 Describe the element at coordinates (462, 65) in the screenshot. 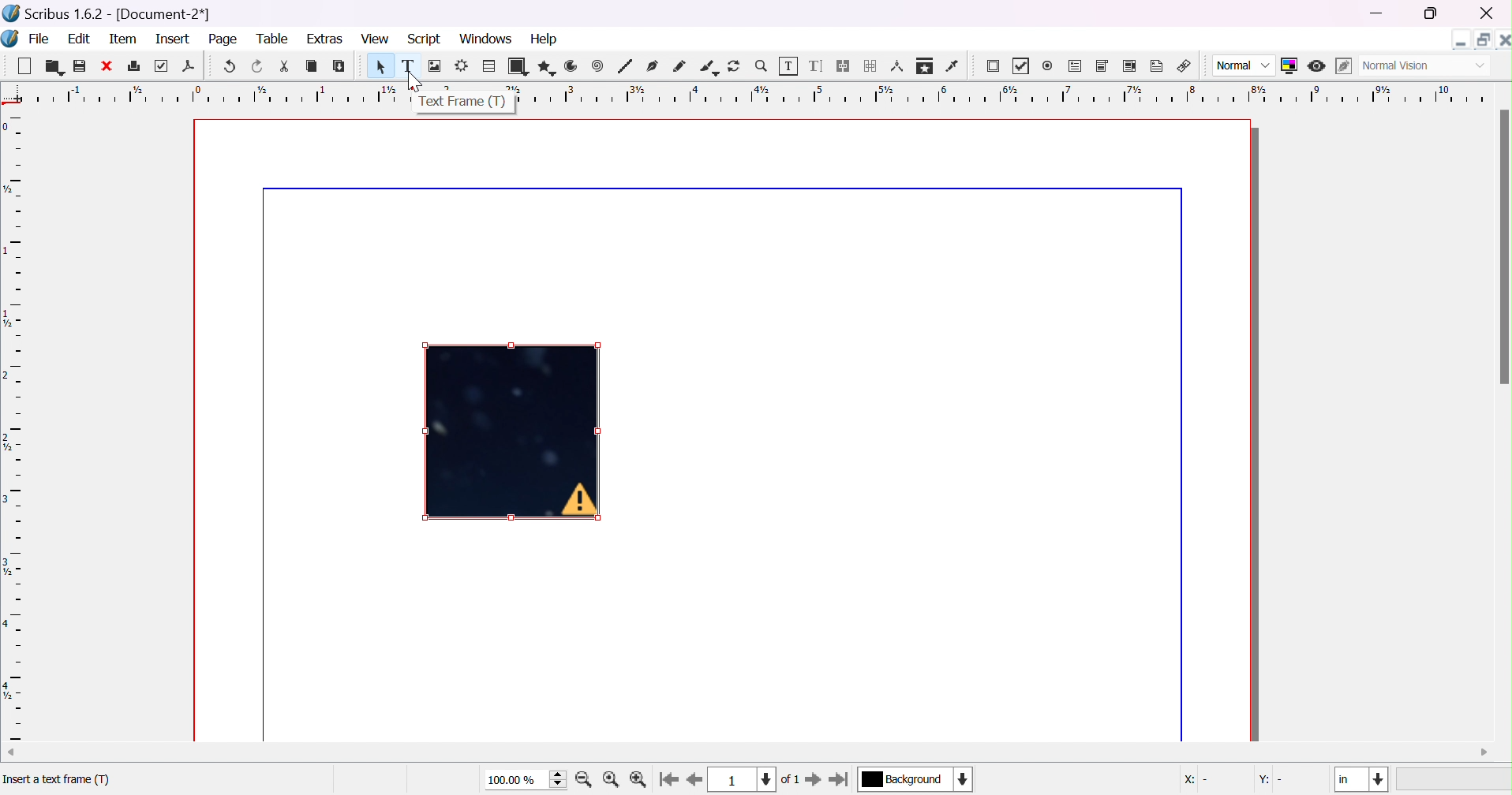

I see `render frame` at that location.